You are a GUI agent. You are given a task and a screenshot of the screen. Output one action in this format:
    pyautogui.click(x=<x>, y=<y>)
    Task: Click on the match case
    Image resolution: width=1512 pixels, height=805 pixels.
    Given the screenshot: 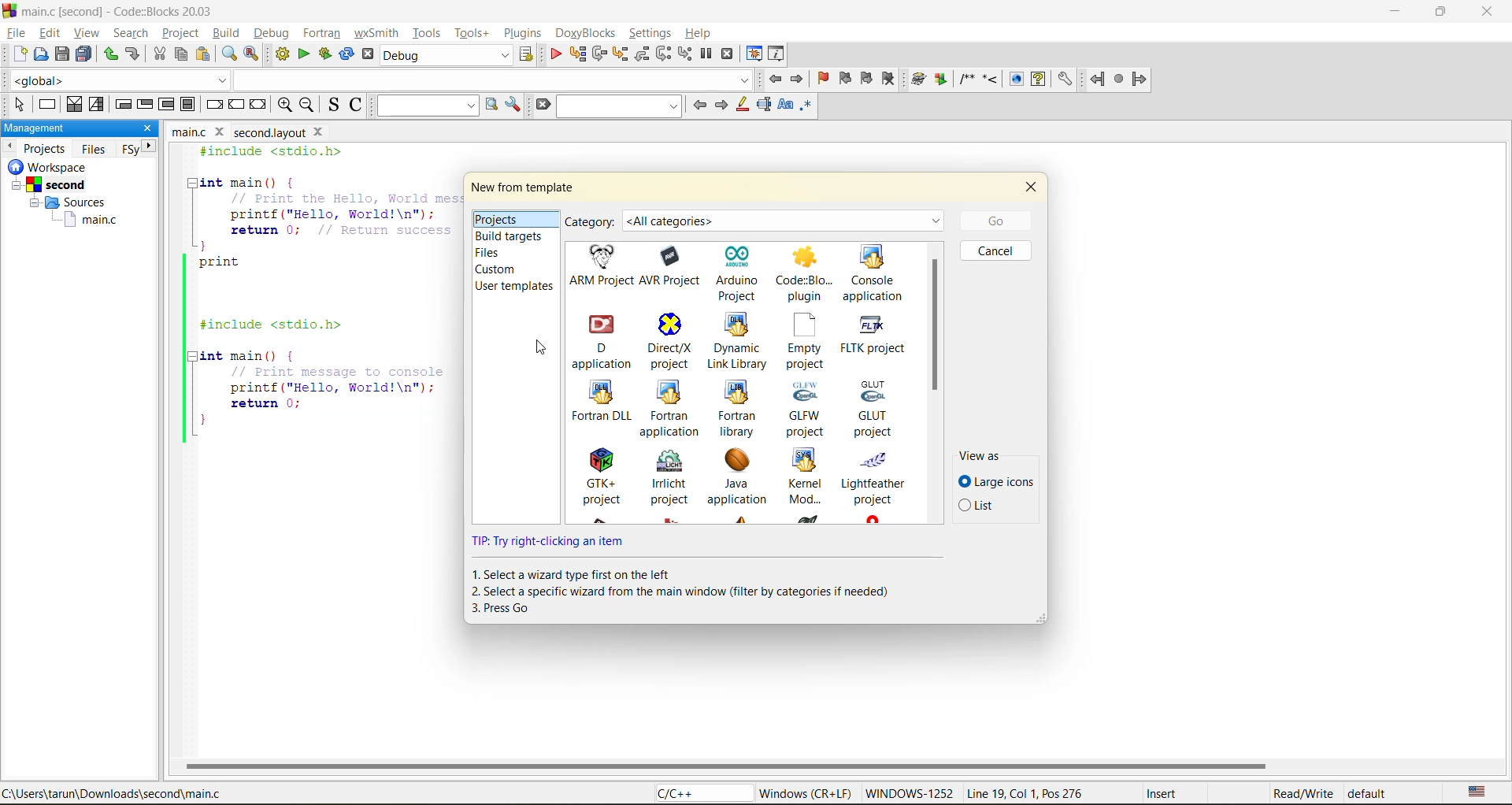 What is the action you would take?
    pyautogui.click(x=787, y=108)
    